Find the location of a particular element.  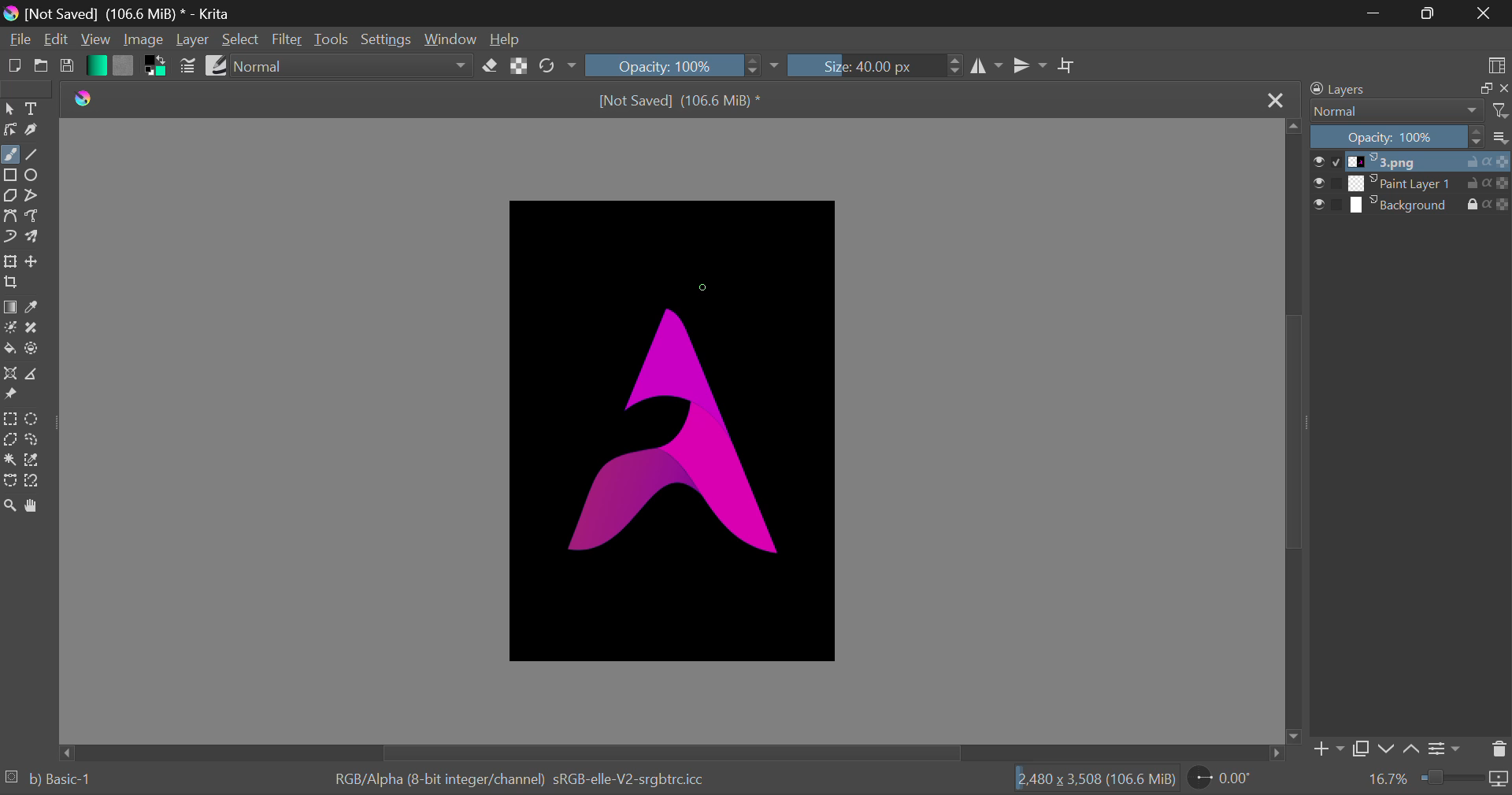

mov right is located at coordinates (1277, 752).